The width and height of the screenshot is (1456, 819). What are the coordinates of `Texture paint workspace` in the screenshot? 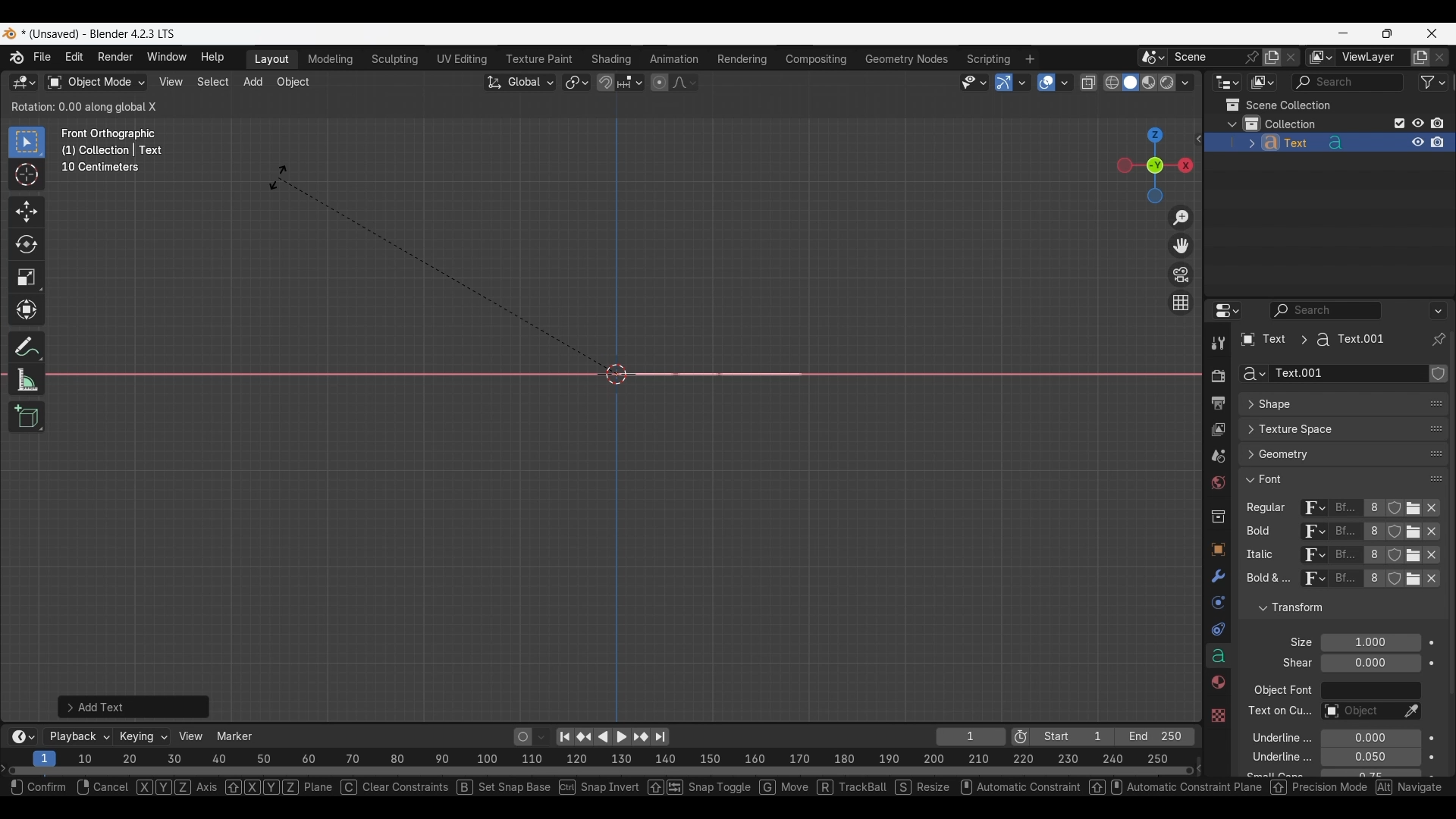 It's located at (541, 59).